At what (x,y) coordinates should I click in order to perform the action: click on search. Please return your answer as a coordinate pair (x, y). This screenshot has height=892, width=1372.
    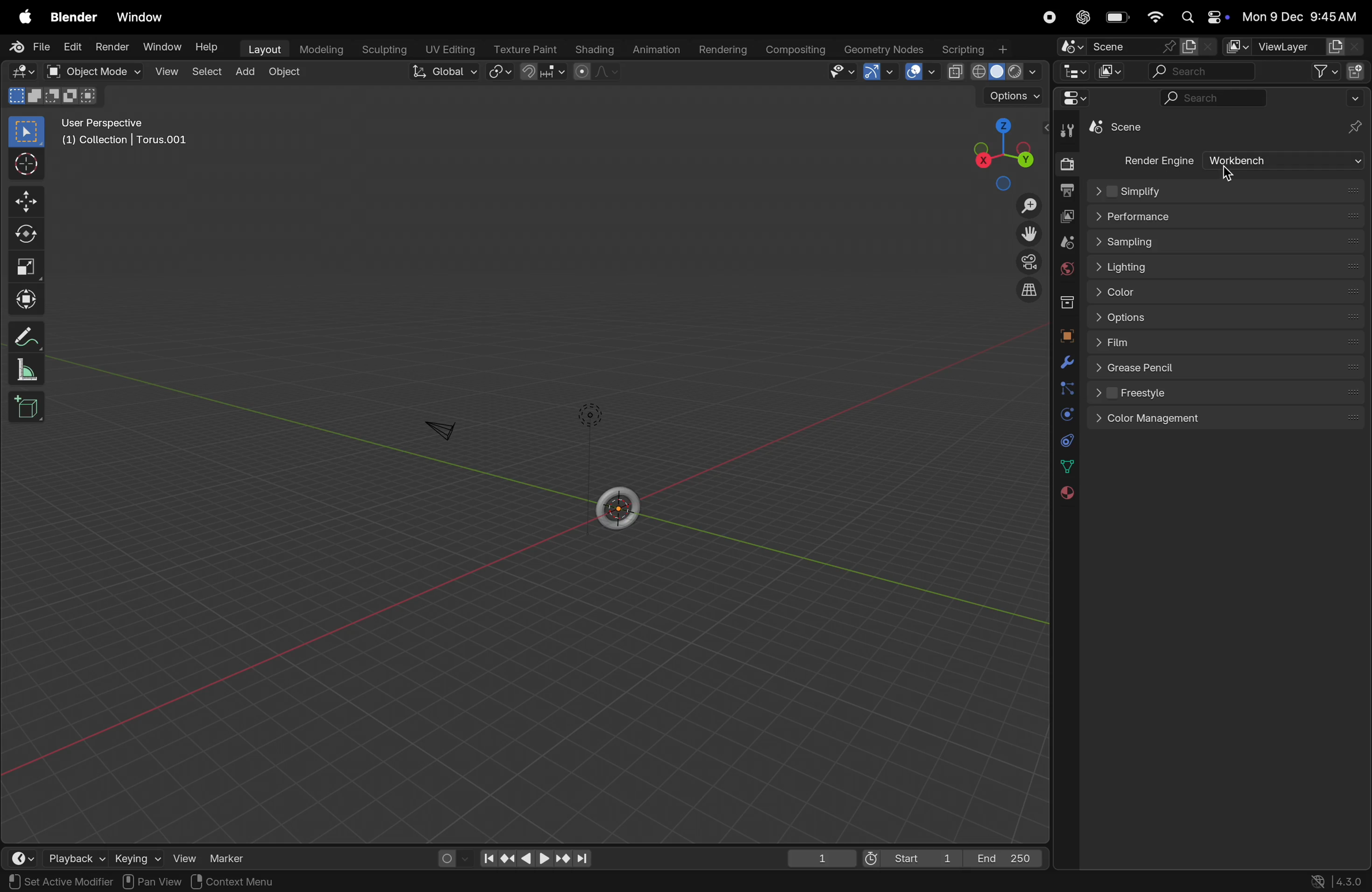
    Looking at the image, I should click on (1199, 72).